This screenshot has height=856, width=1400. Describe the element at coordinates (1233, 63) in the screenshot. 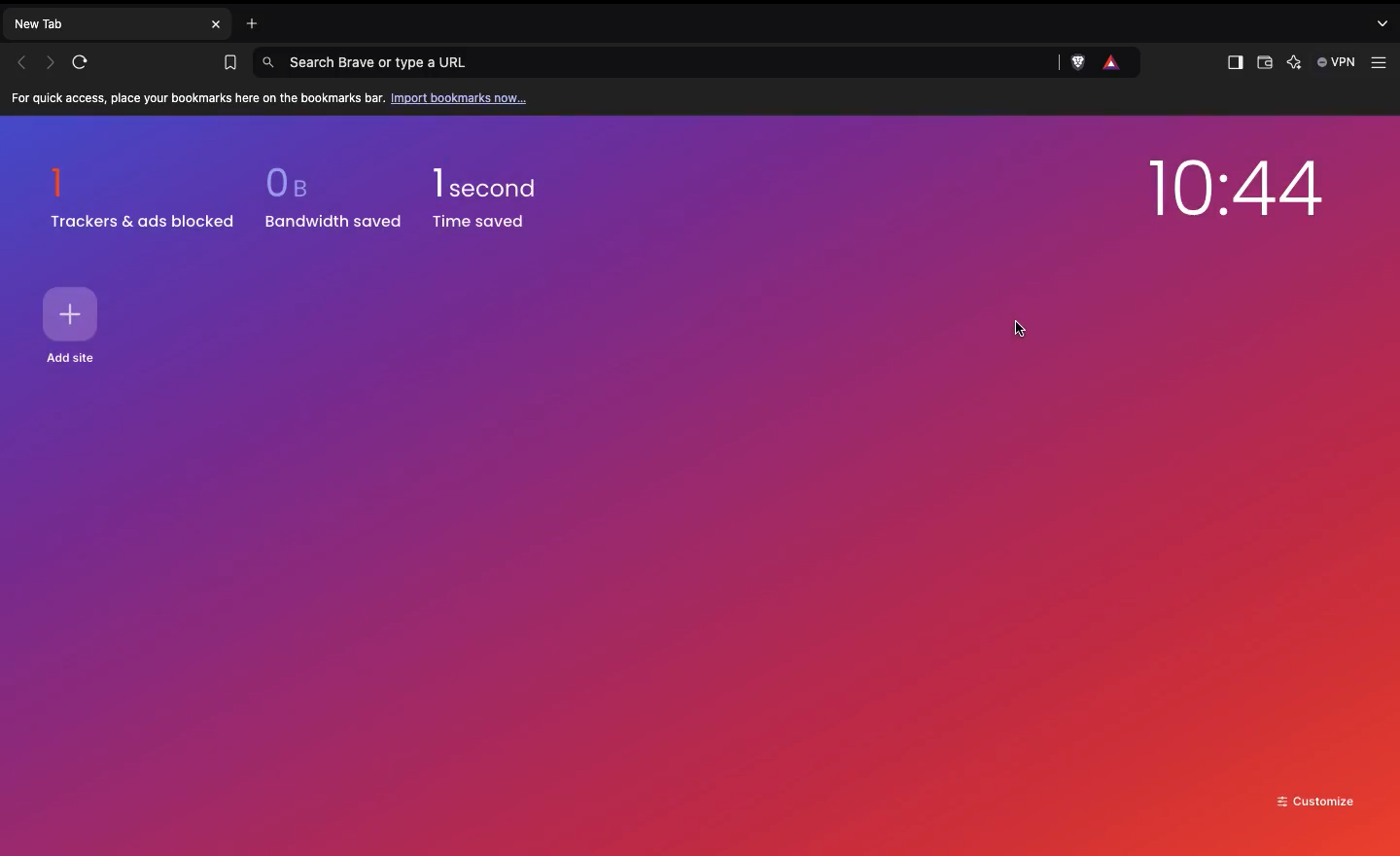

I see `Sidebar` at that location.